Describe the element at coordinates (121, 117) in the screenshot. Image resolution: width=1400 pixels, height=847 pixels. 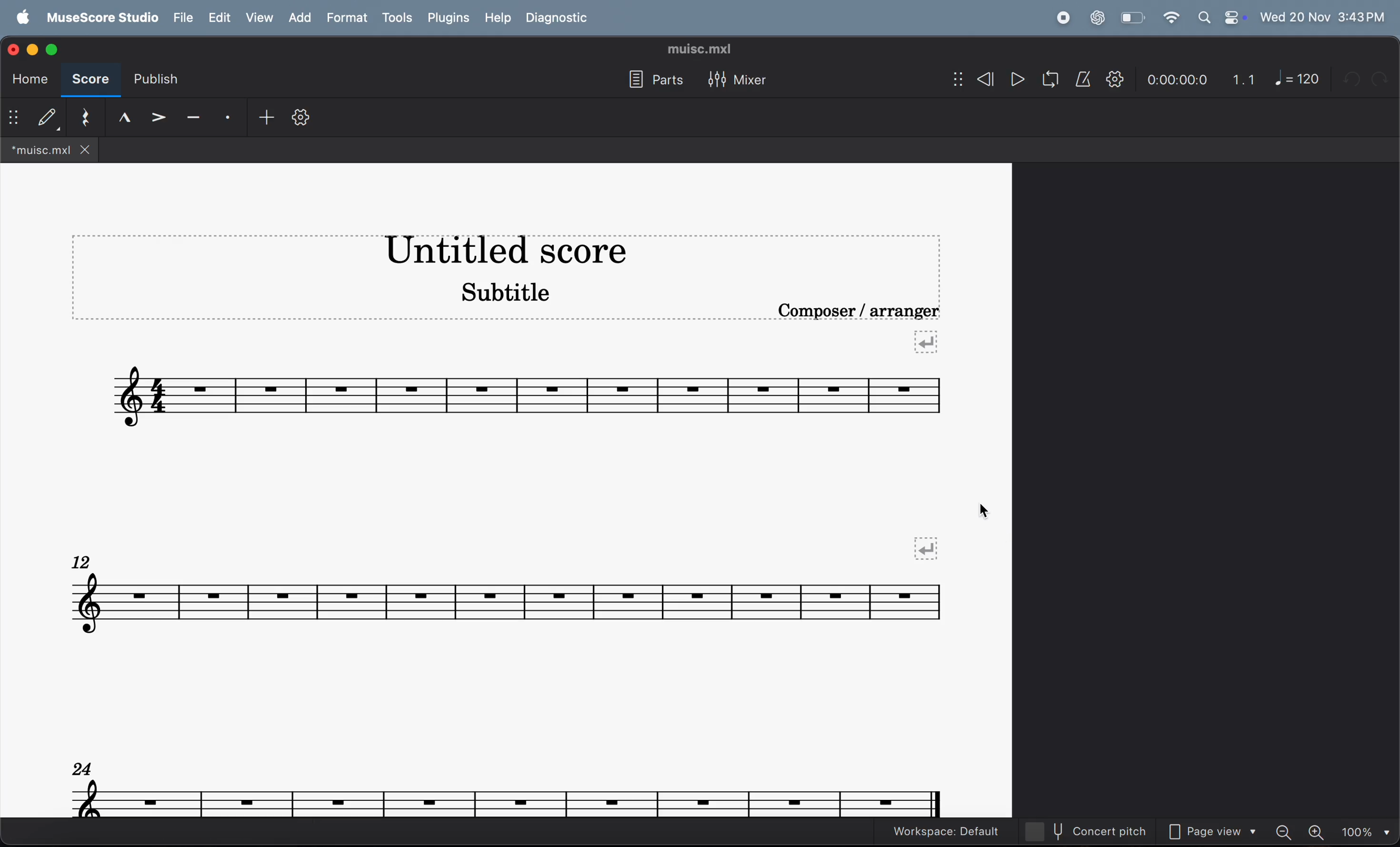
I see `marcato` at that location.